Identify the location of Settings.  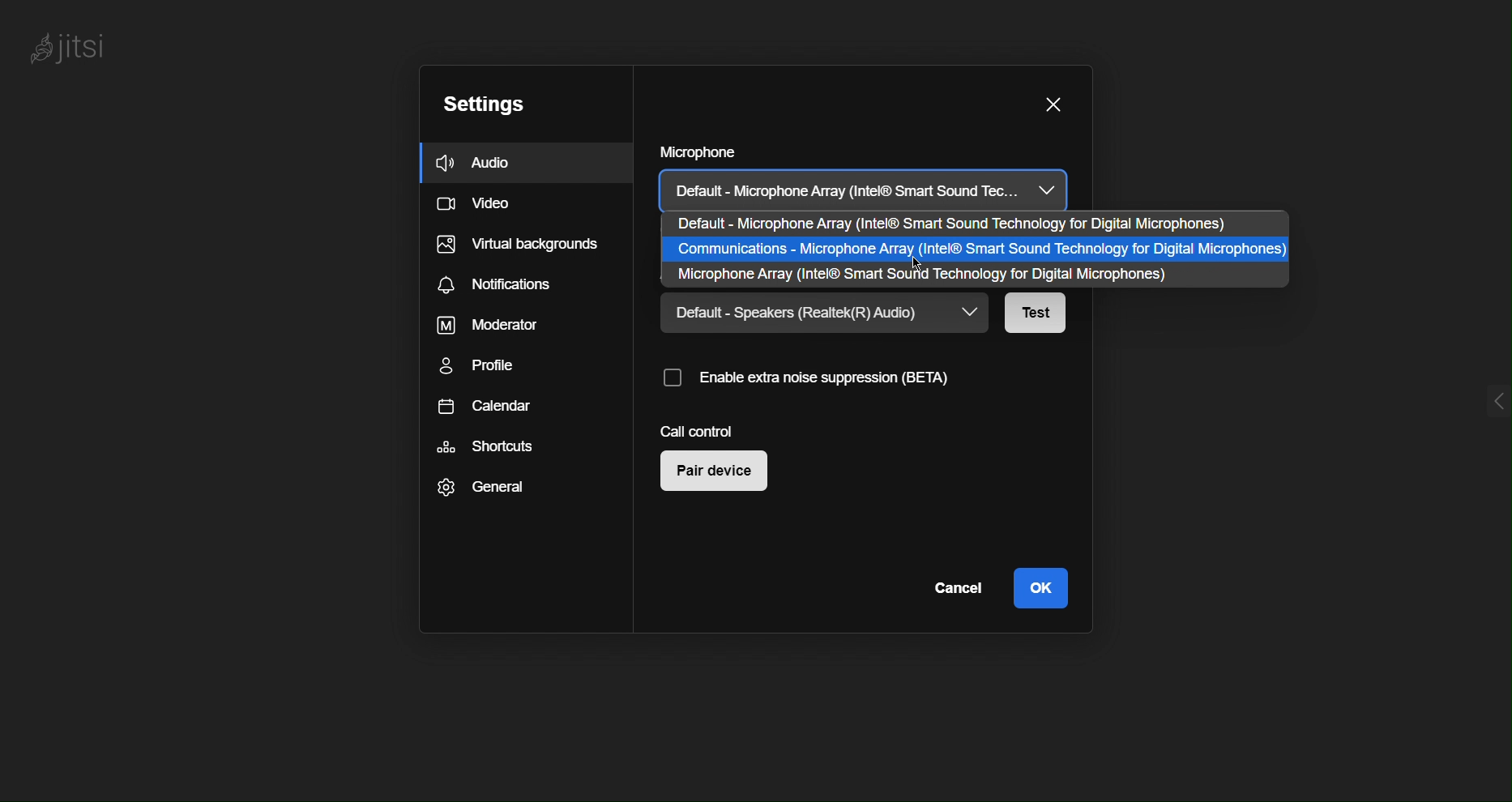
(482, 104).